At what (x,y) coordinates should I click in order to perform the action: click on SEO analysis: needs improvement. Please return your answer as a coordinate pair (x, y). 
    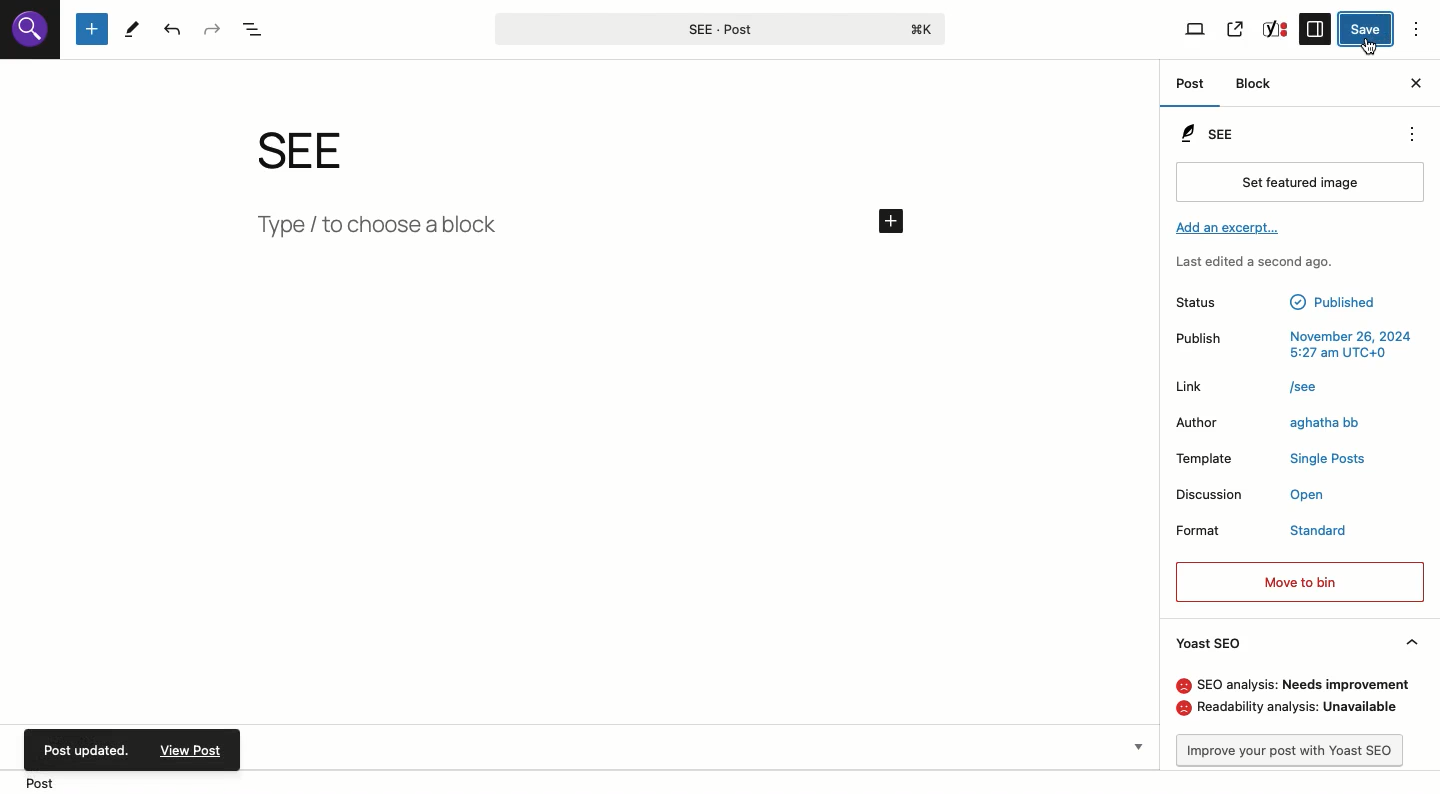
    Looking at the image, I should click on (1291, 684).